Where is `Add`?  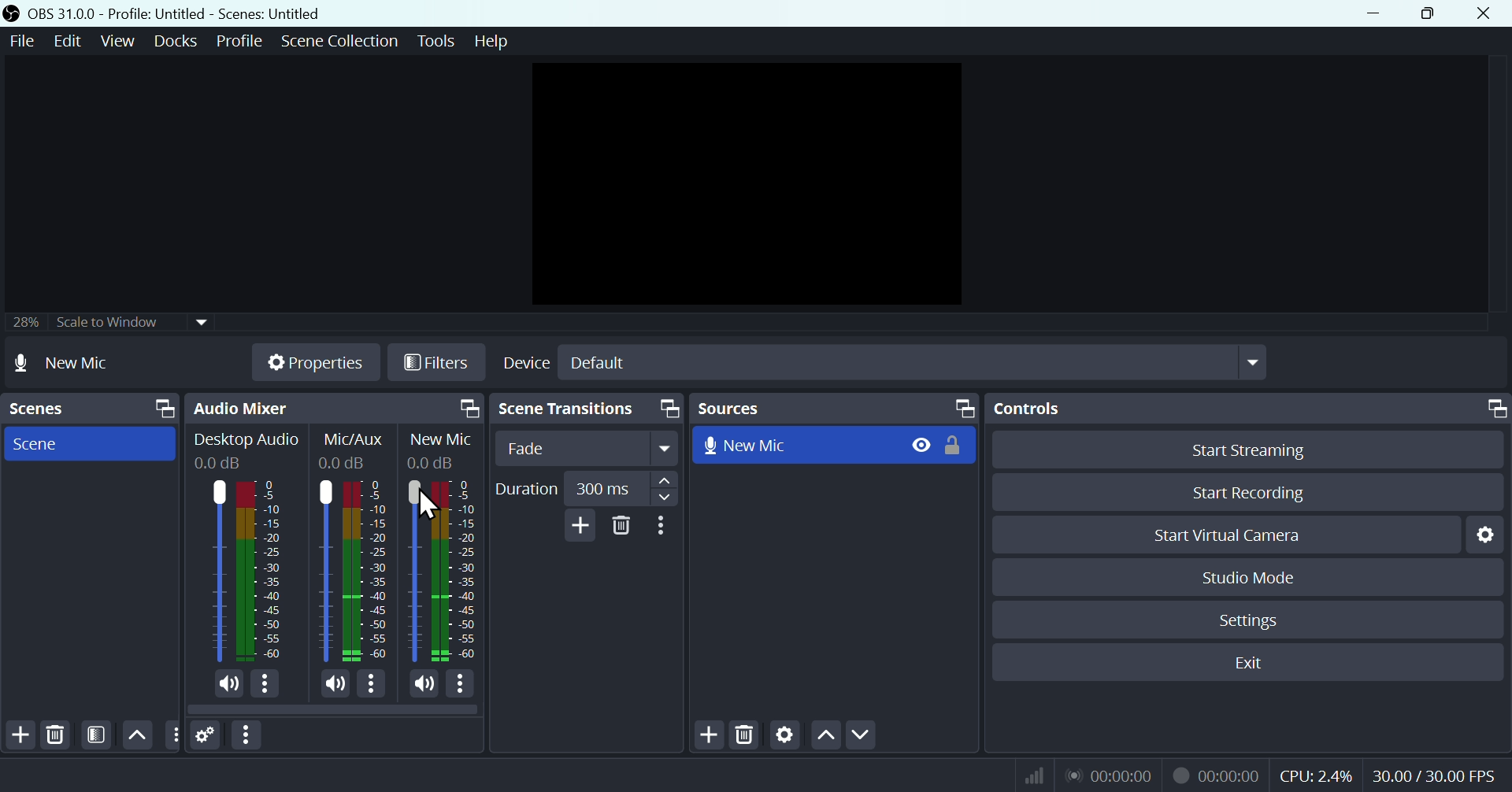
Add is located at coordinates (19, 735).